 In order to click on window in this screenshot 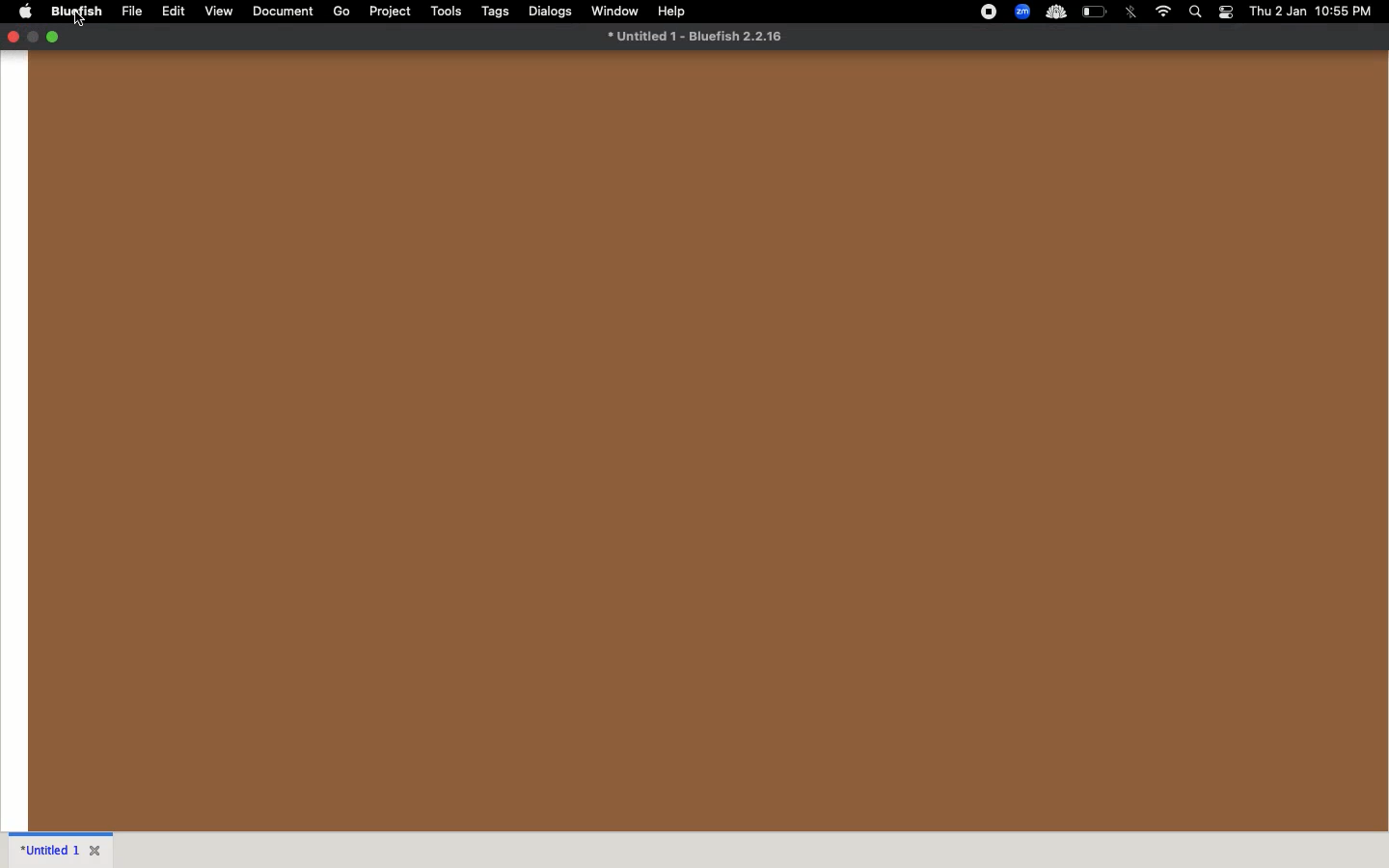, I will do `click(615, 10)`.